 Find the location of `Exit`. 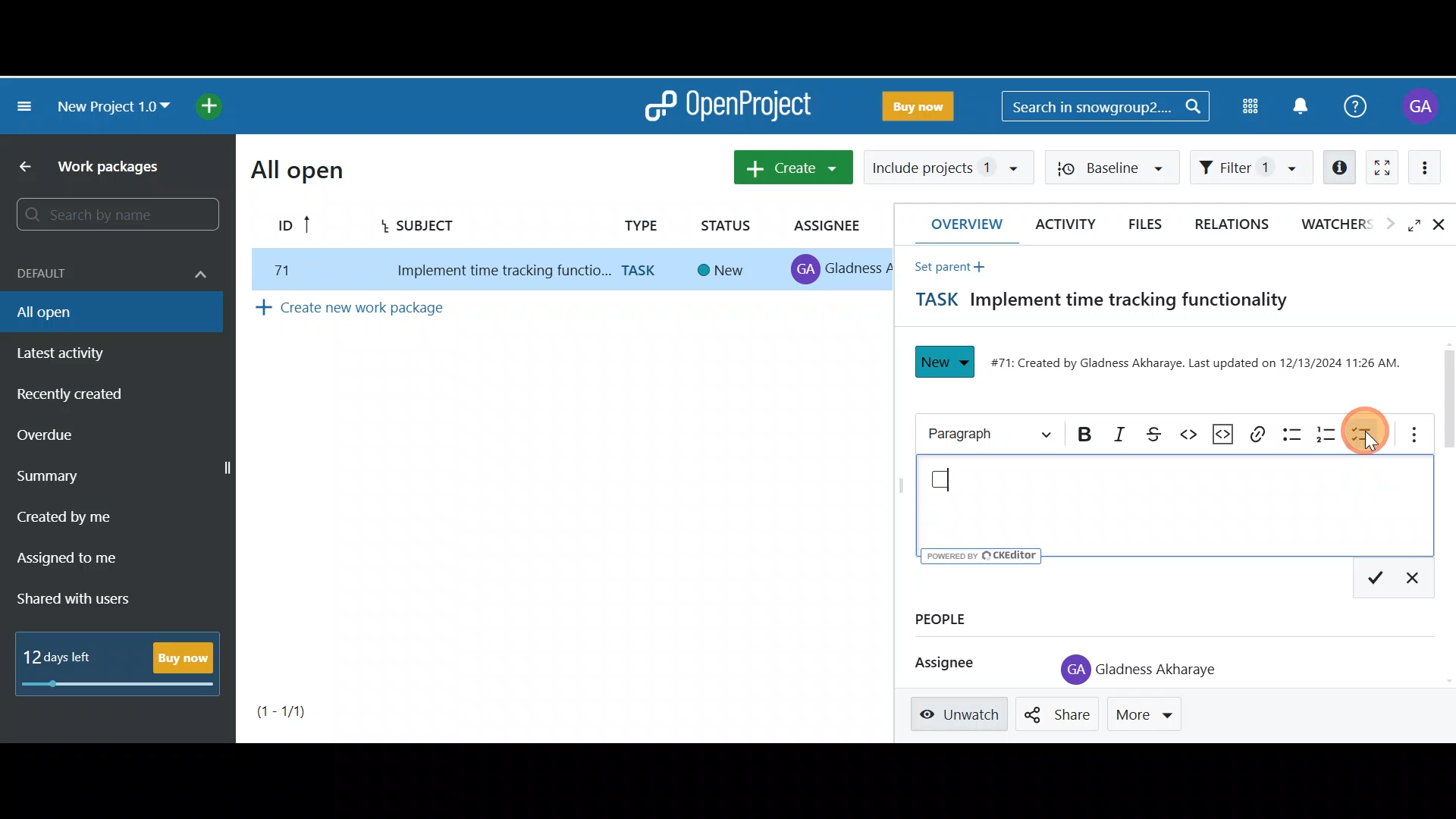

Exit is located at coordinates (1420, 579).